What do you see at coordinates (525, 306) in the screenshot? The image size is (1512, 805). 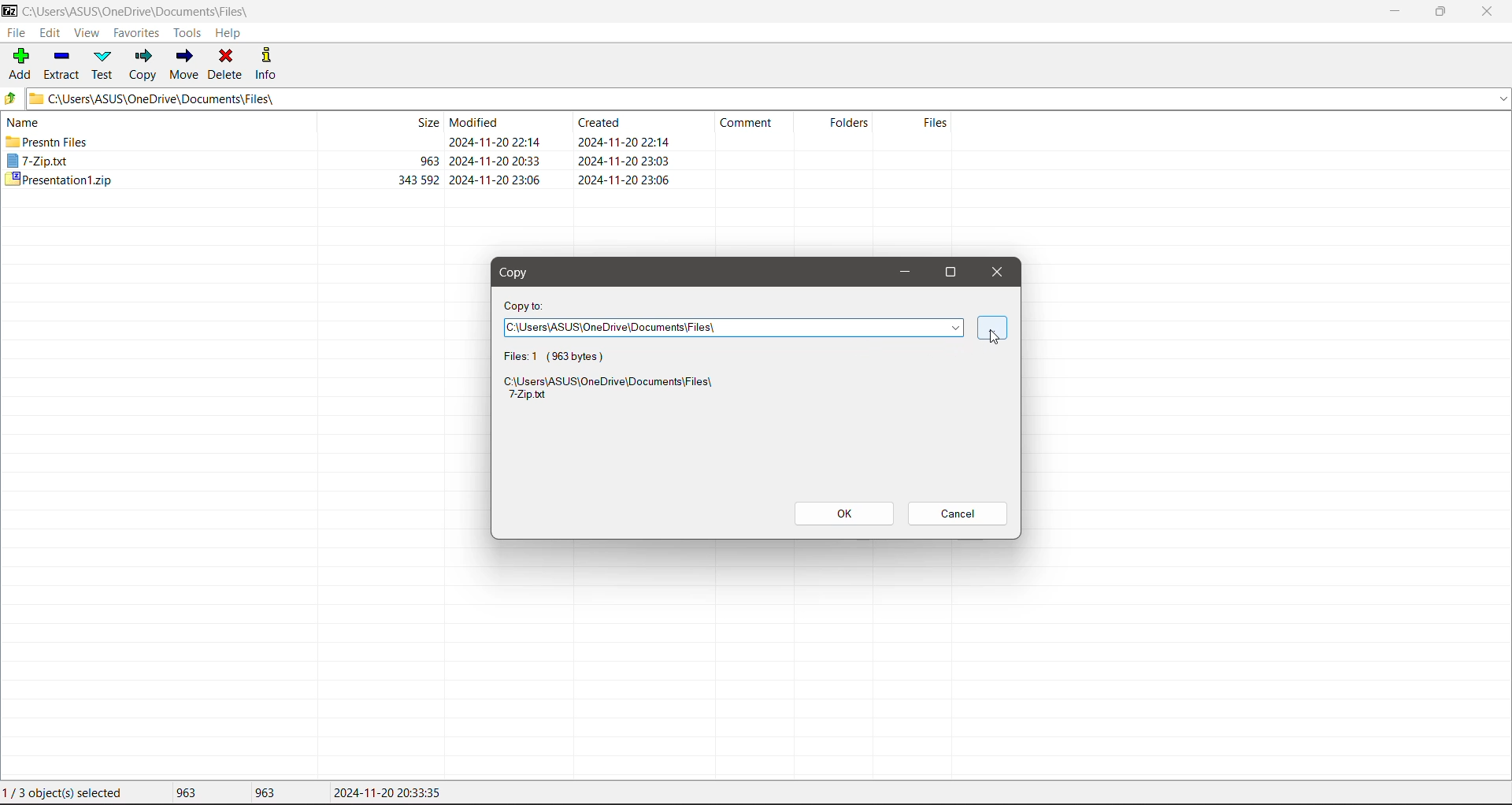 I see `Copy To` at bounding box center [525, 306].